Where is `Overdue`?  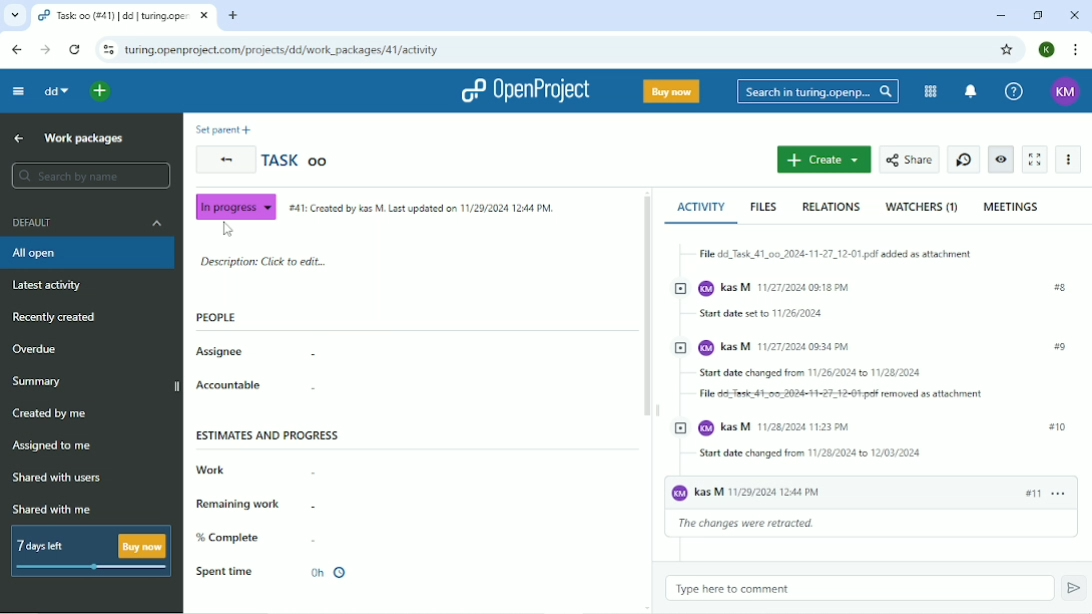
Overdue is located at coordinates (36, 350).